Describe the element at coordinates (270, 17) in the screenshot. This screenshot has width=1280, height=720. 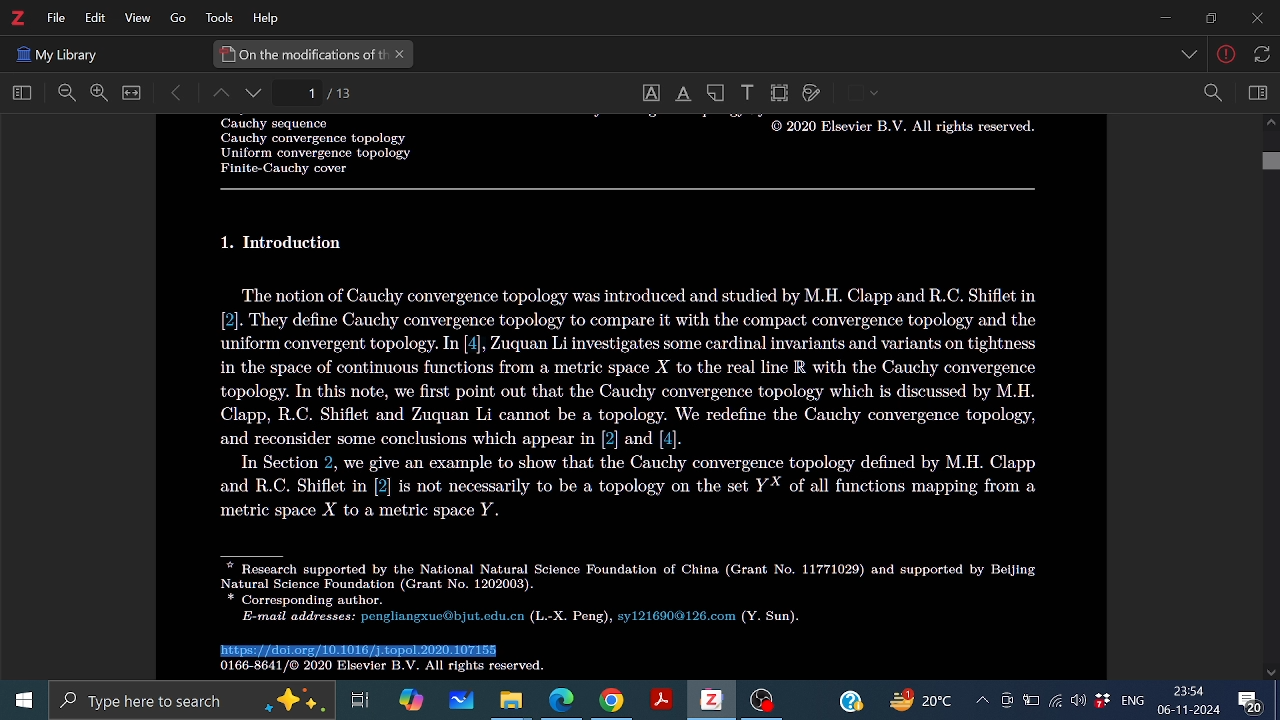
I see `HElp` at that location.